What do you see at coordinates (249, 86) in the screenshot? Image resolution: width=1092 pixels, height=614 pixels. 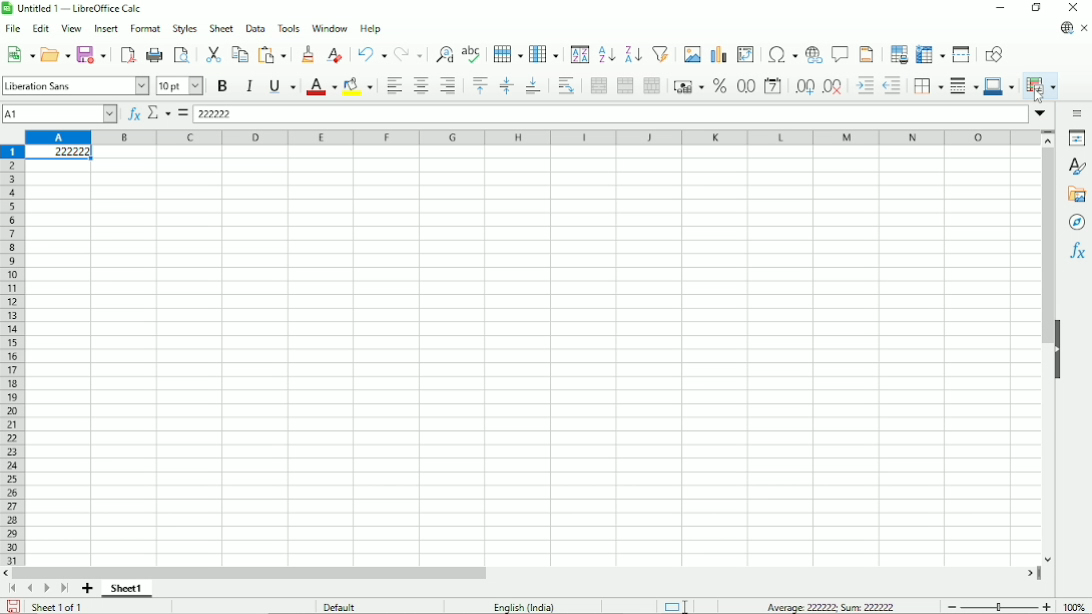 I see `Italic` at bounding box center [249, 86].